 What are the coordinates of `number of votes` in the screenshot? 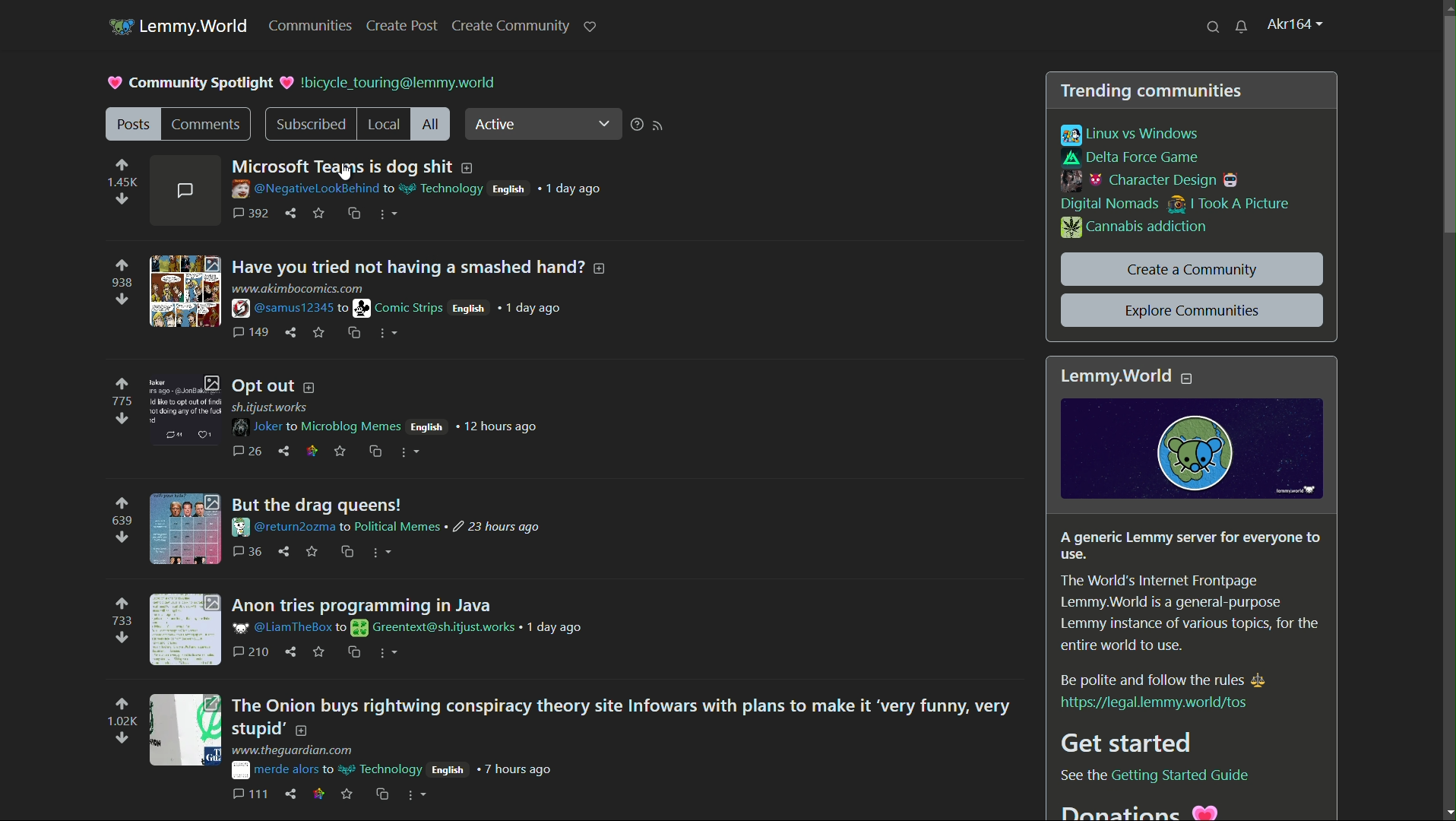 It's located at (122, 281).